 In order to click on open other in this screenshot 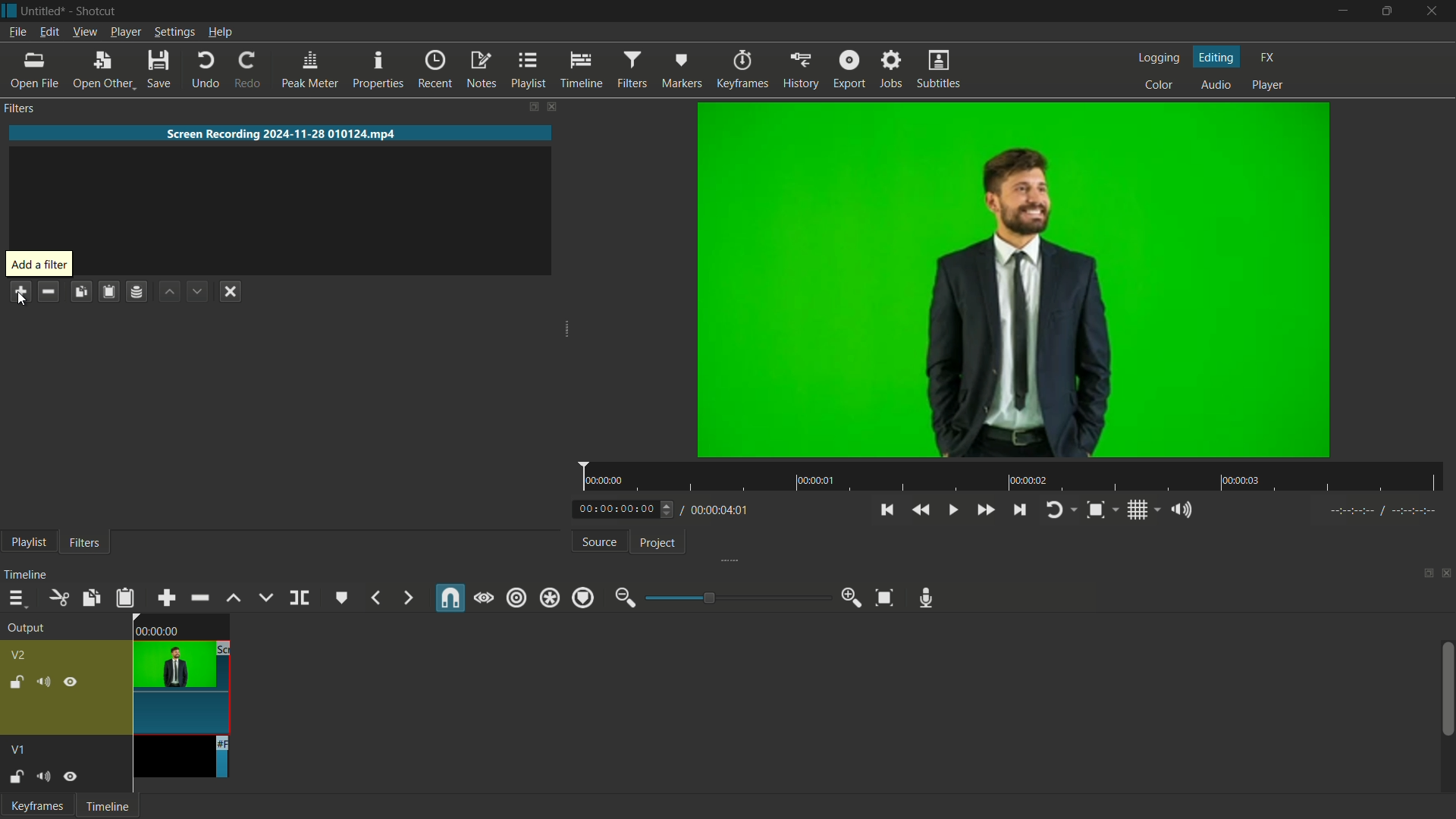, I will do `click(102, 70)`.